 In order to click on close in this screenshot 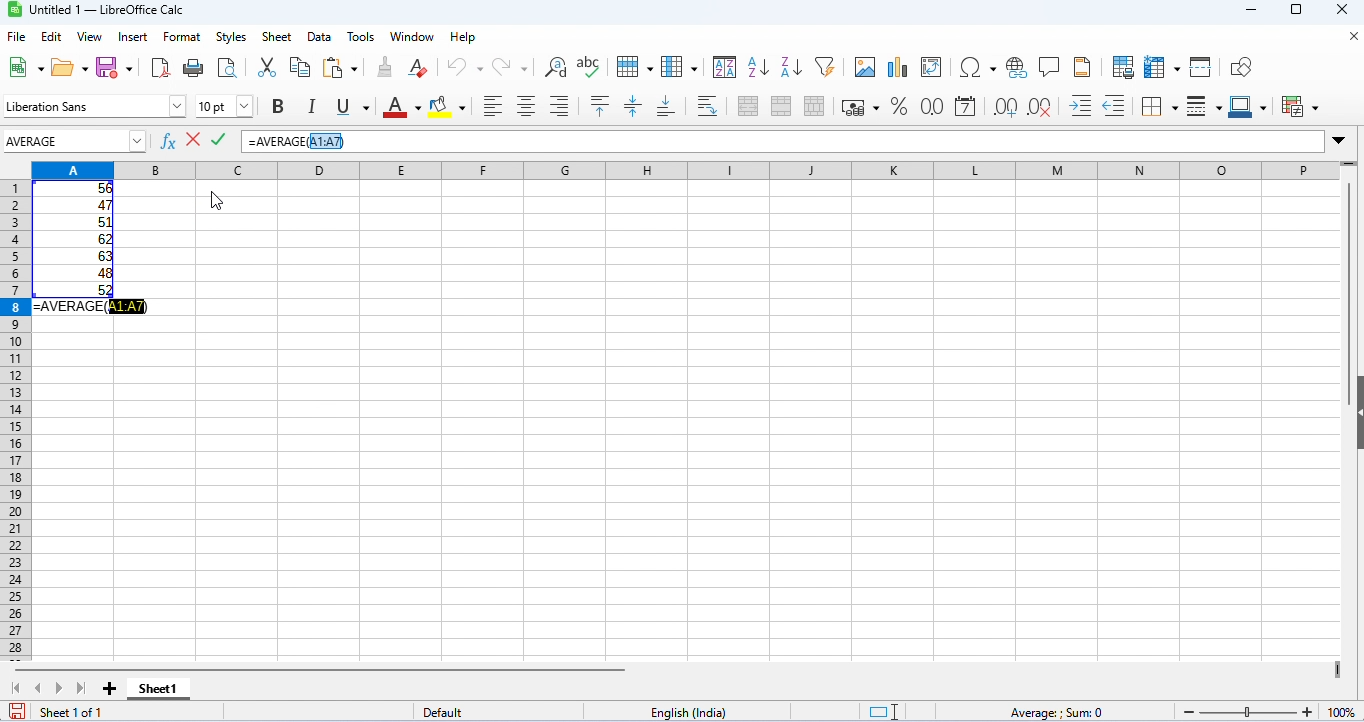, I will do `click(1344, 11)`.